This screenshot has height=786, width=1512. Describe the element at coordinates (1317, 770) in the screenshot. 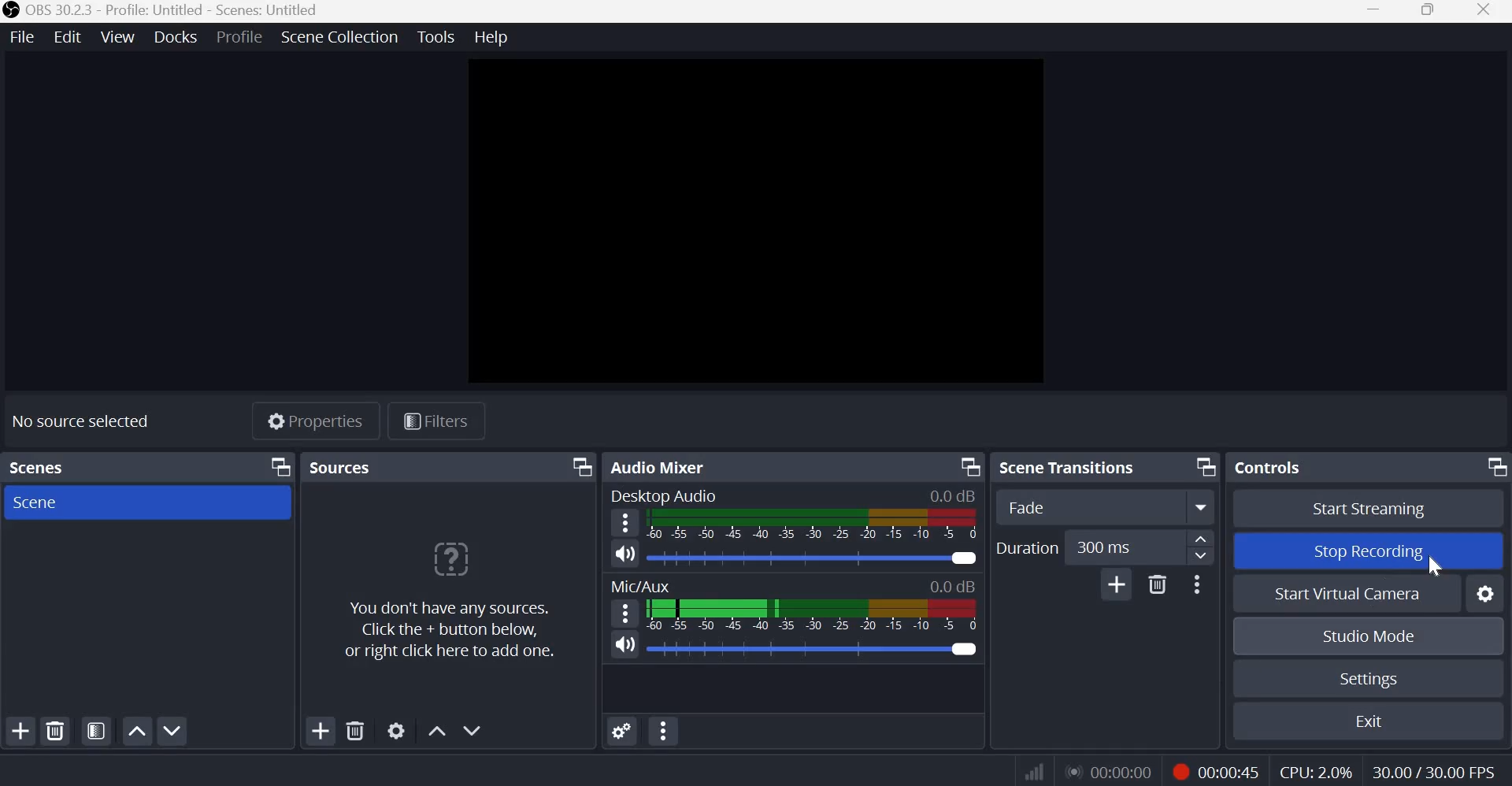

I see `CPU: 2.0%` at that location.